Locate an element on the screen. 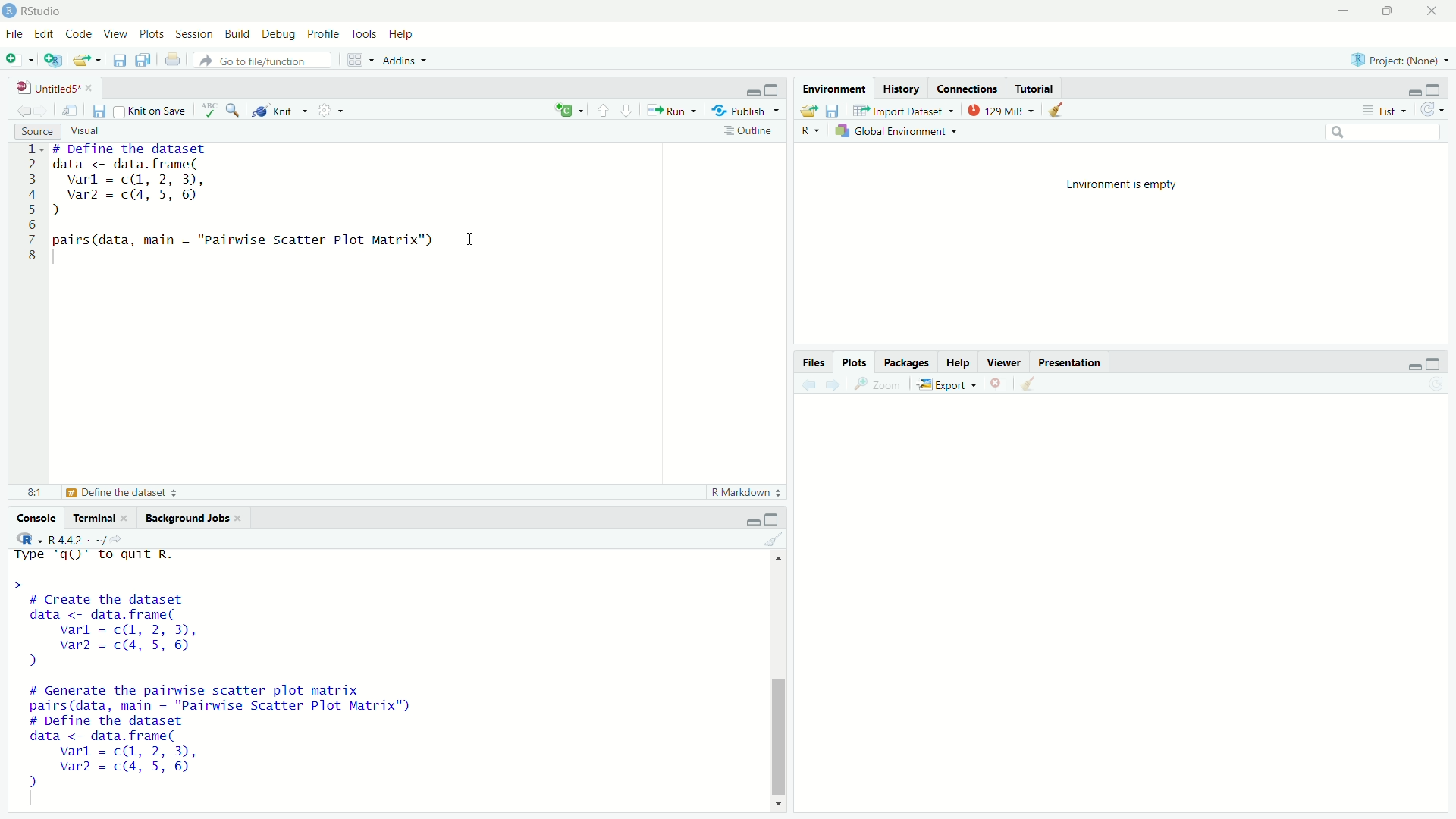 The height and width of the screenshot is (819, 1456). Export is located at coordinates (945, 384).